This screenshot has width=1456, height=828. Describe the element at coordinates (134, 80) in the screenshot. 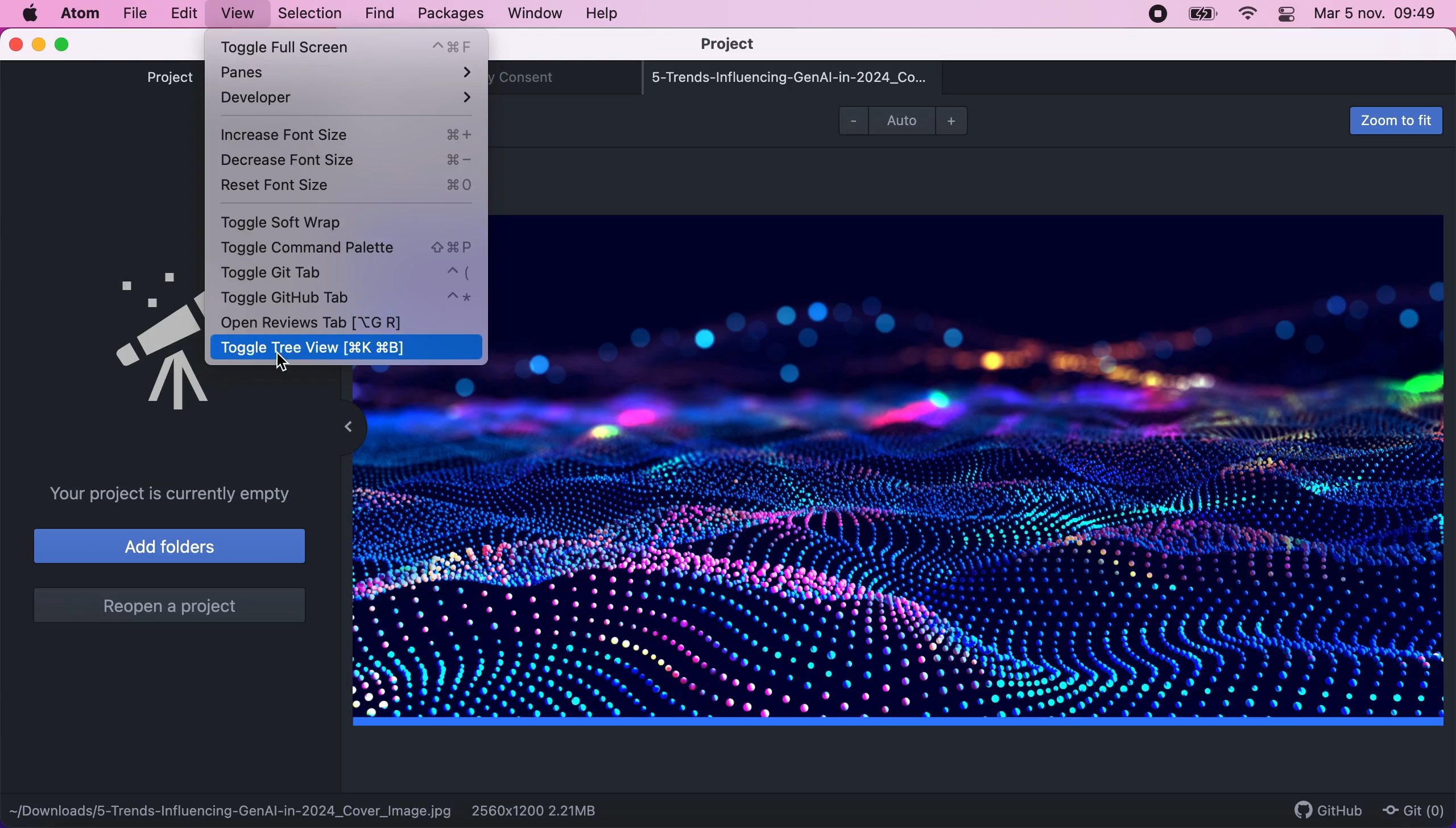

I see `project` at that location.